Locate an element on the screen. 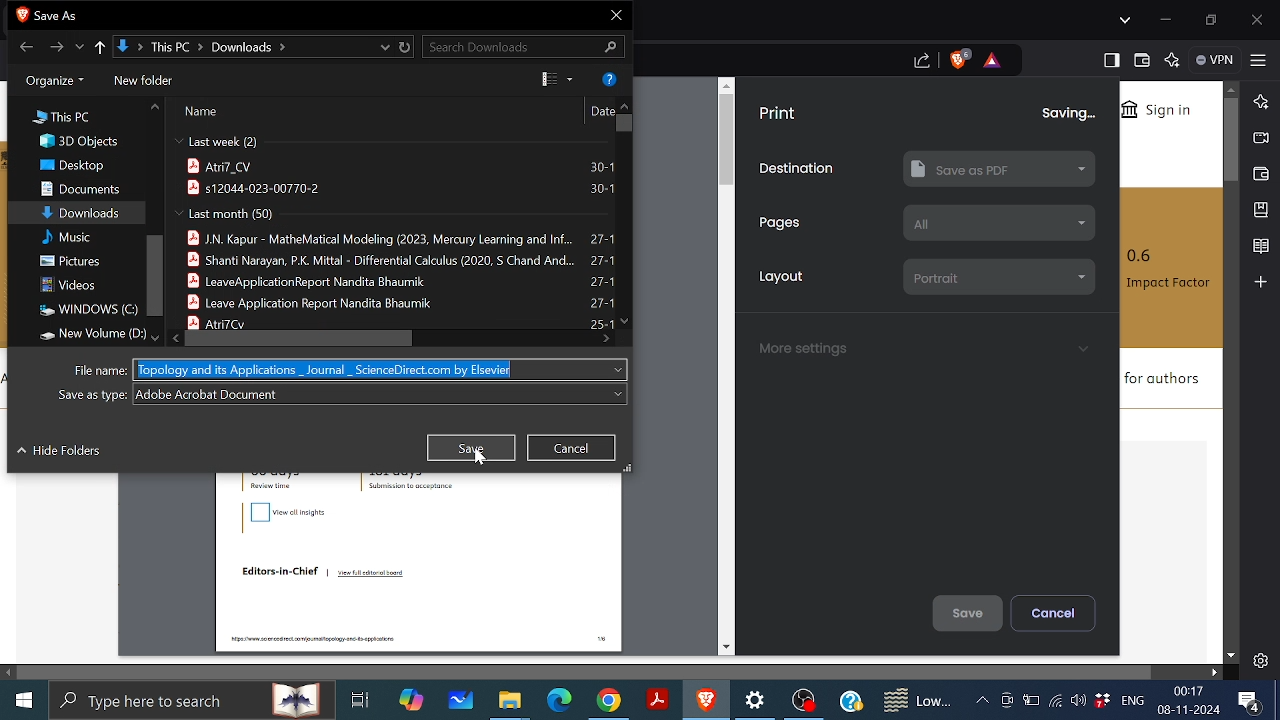 The image size is (1280, 720). Pages is located at coordinates (785, 224).